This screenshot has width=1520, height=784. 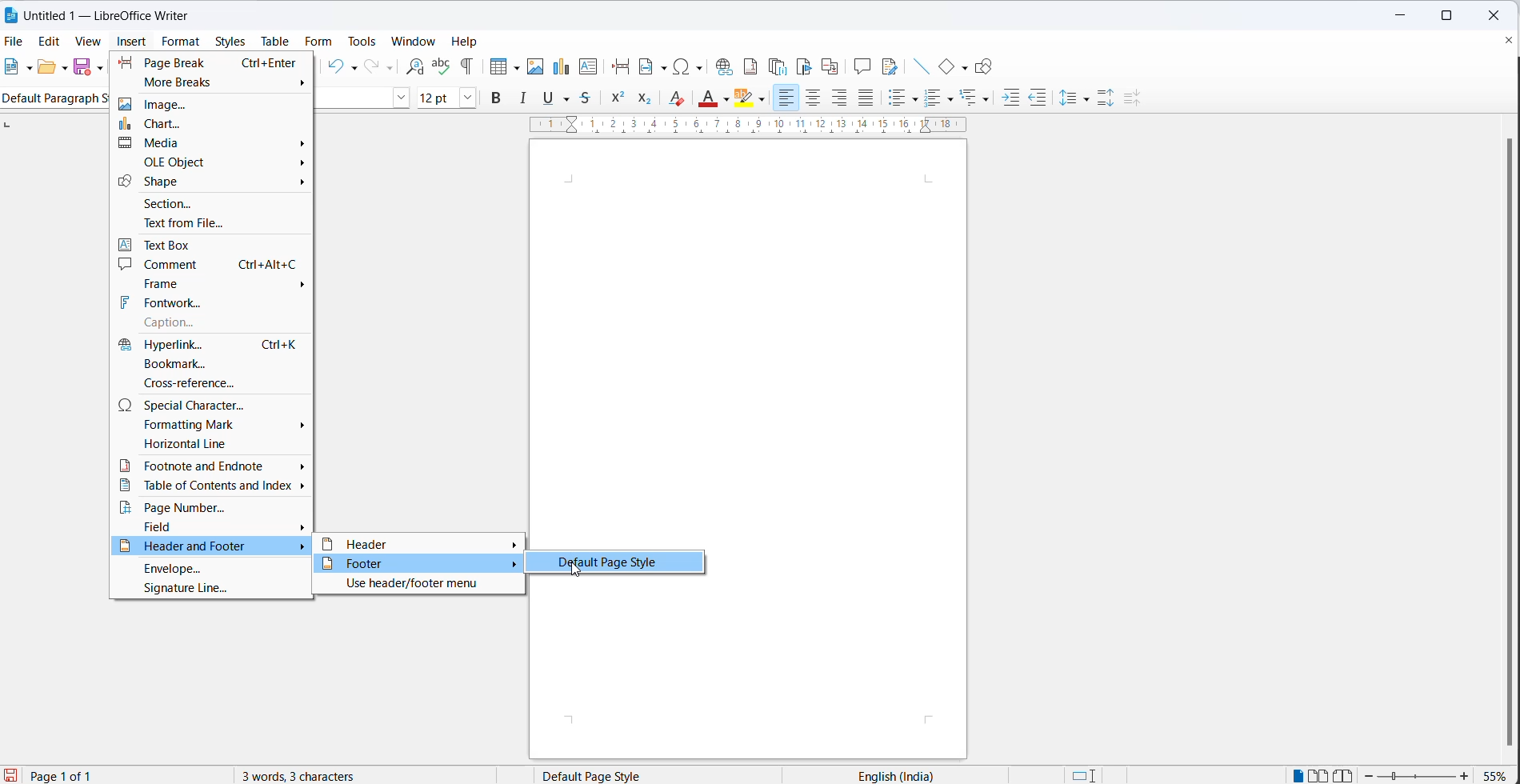 What do you see at coordinates (620, 67) in the screenshot?
I see `insert page break` at bounding box center [620, 67].